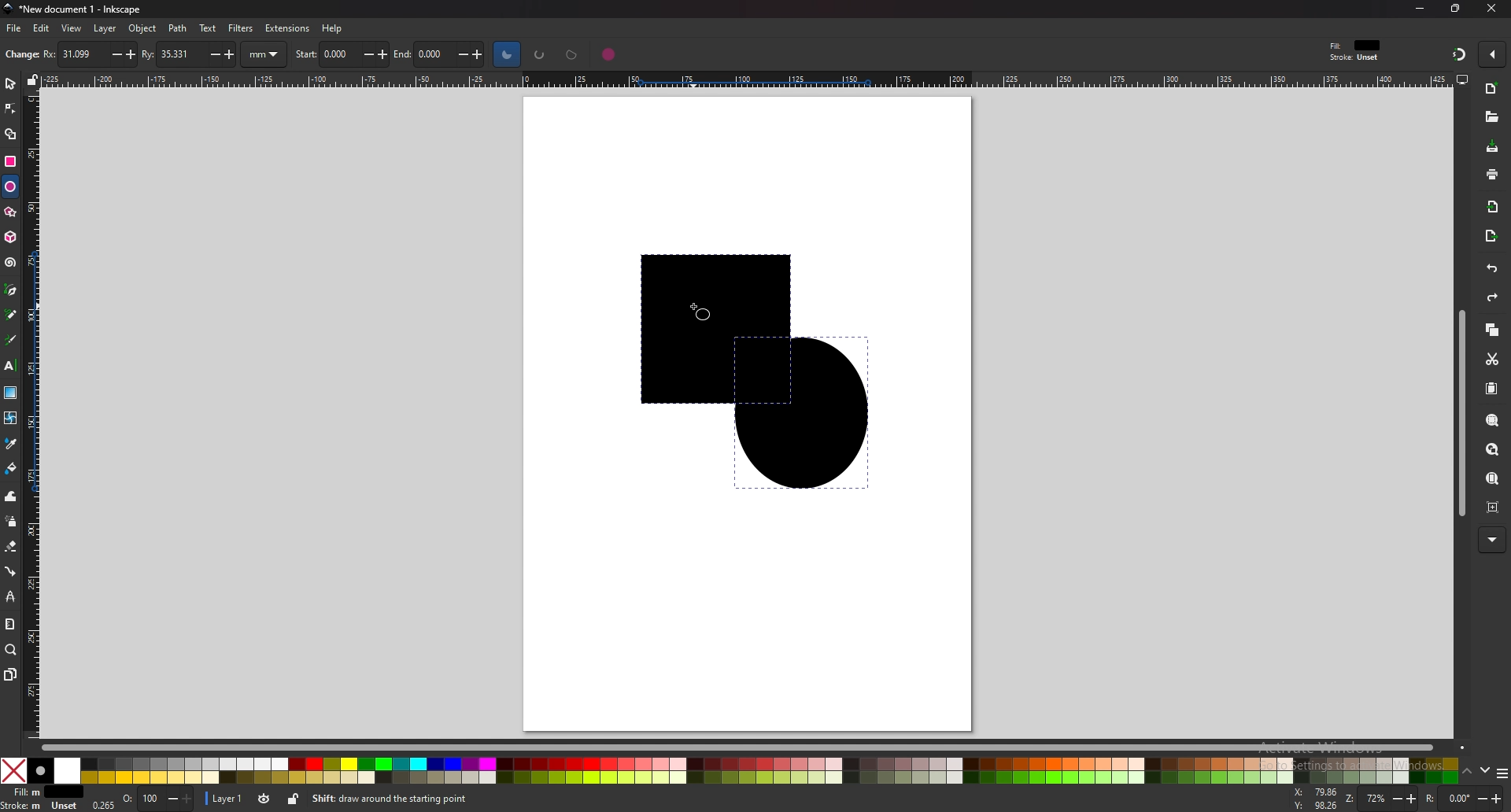 The width and height of the screenshot is (1511, 812). I want to click on vertical ruler, so click(35, 413).